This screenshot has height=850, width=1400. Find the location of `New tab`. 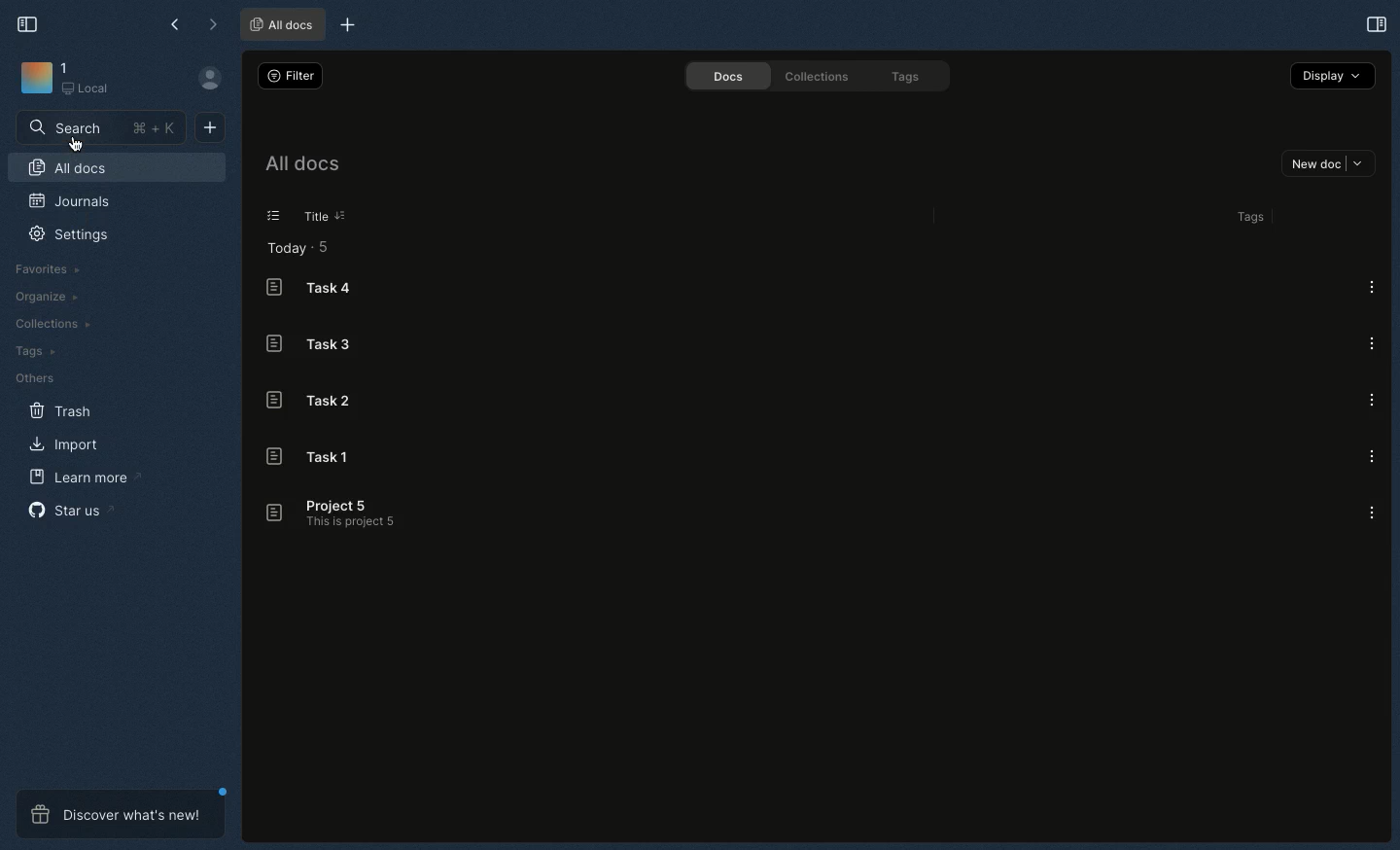

New tab is located at coordinates (347, 25).